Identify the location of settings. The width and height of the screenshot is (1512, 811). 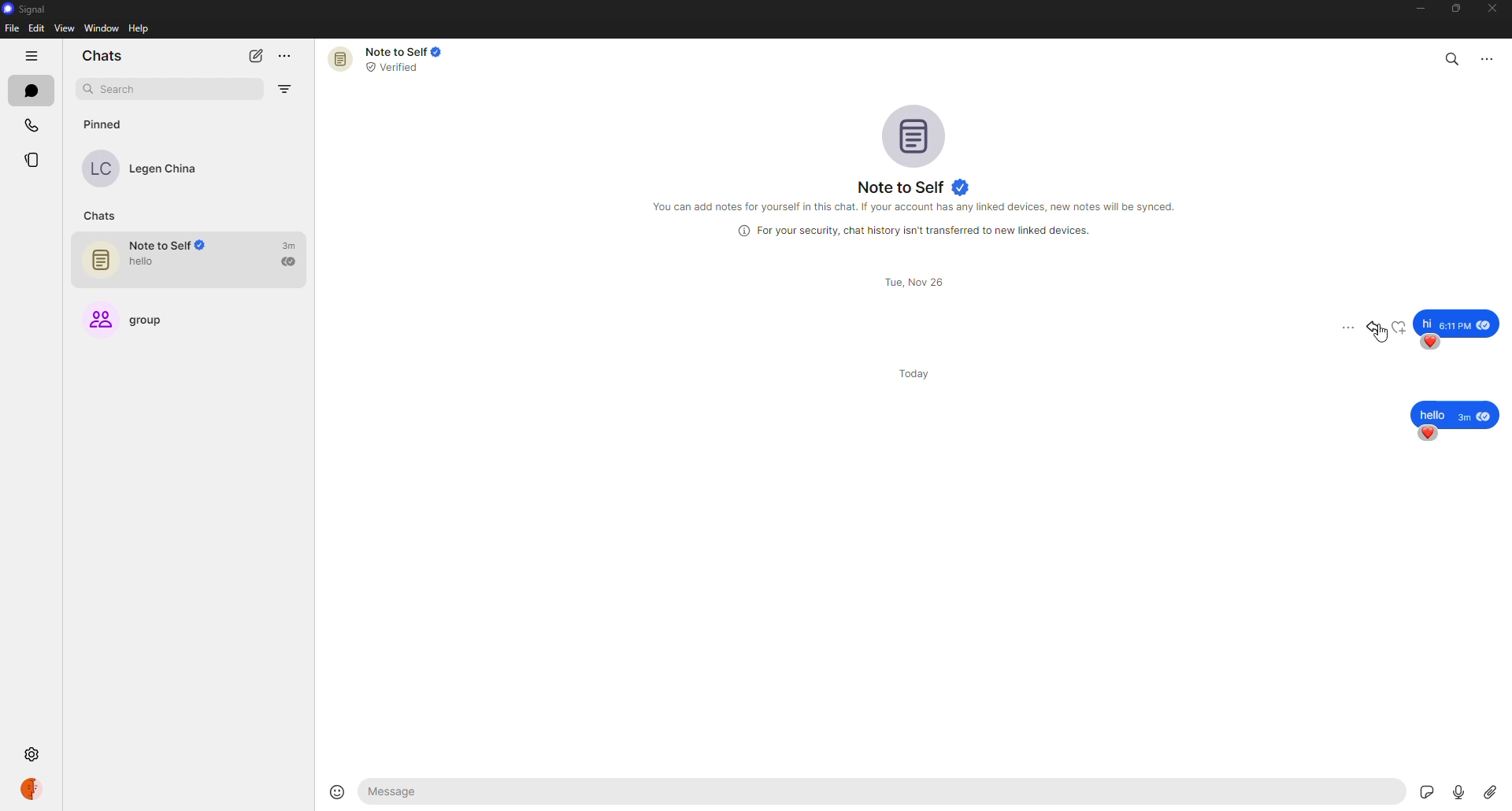
(33, 752).